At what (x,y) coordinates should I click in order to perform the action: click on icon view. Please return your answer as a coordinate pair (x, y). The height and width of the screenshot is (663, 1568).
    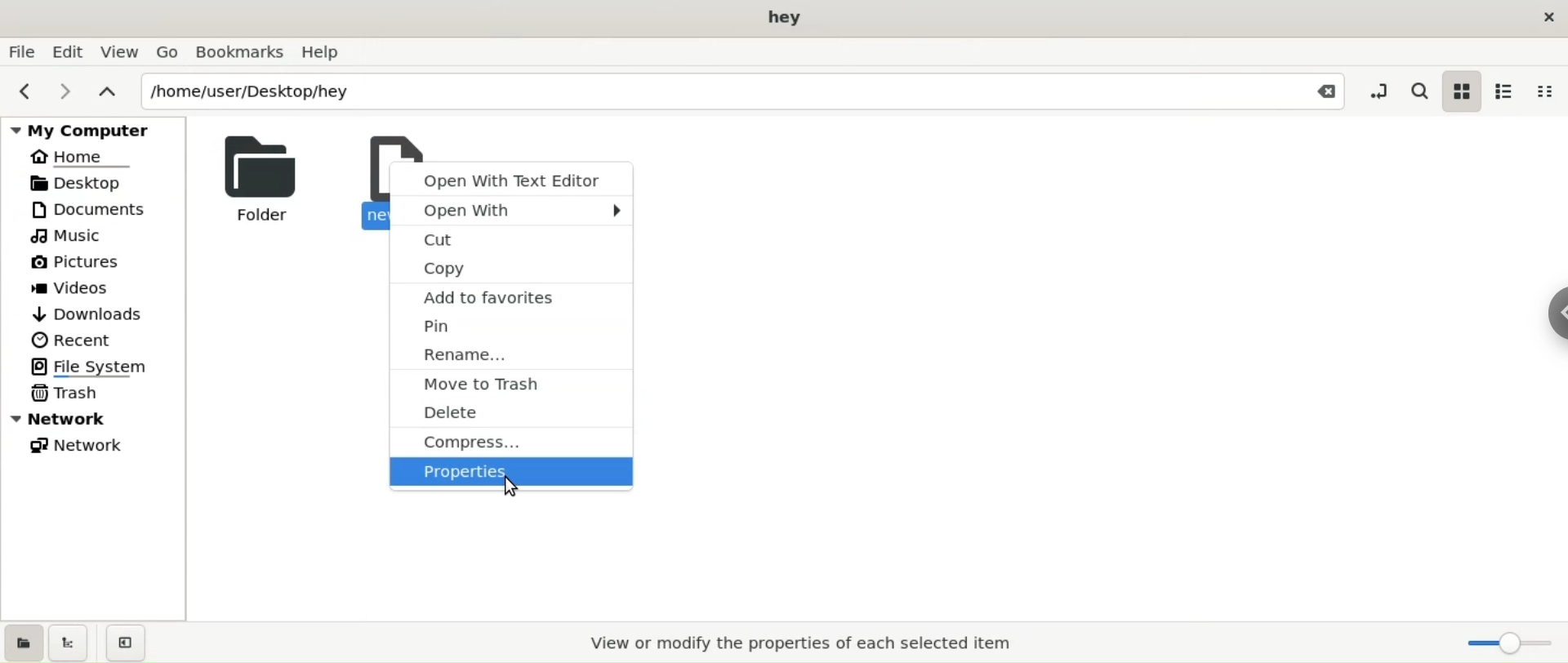
    Looking at the image, I should click on (1463, 91).